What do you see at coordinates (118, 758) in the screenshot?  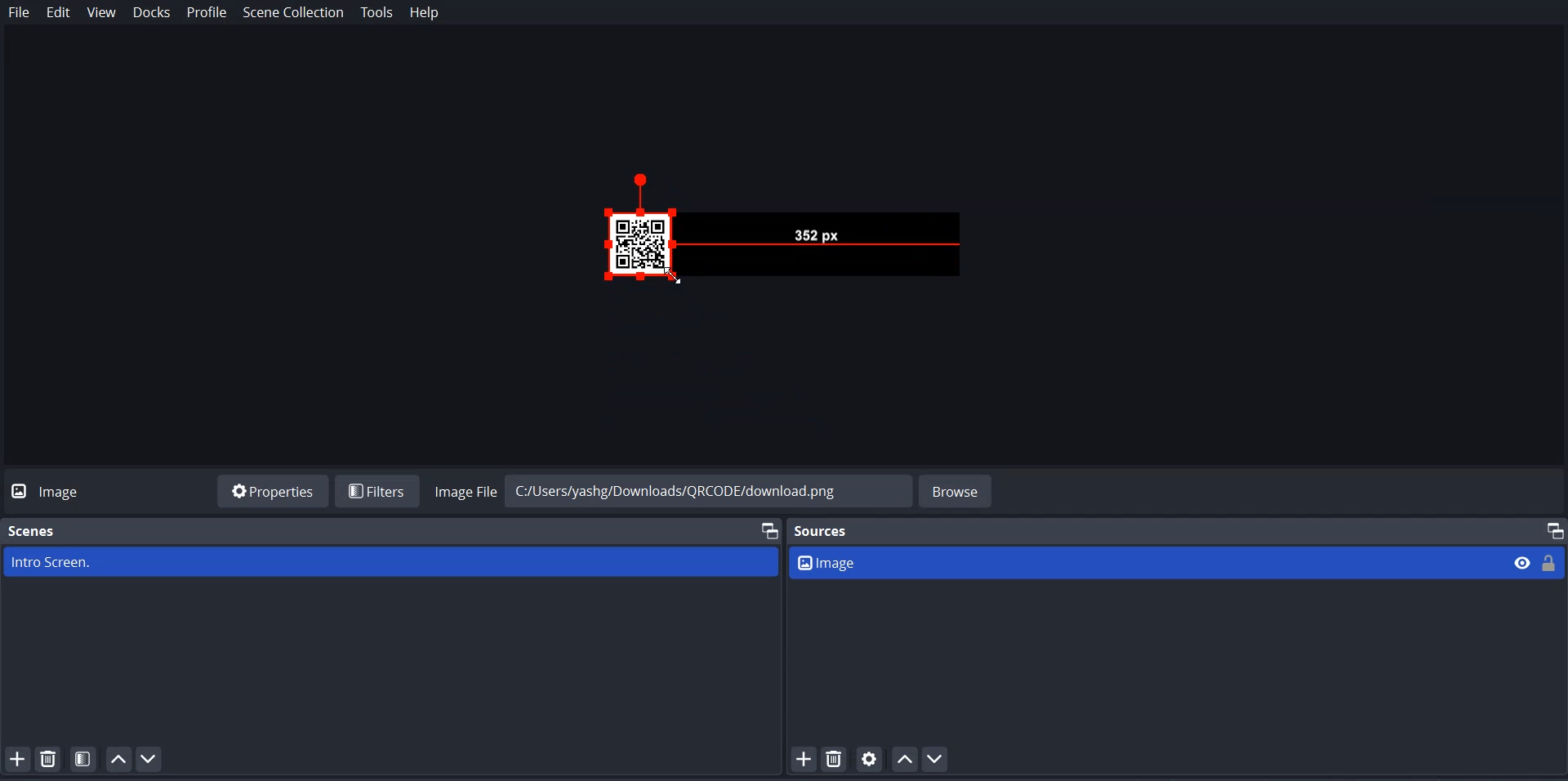 I see `Move Scene Up` at bounding box center [118, 758].